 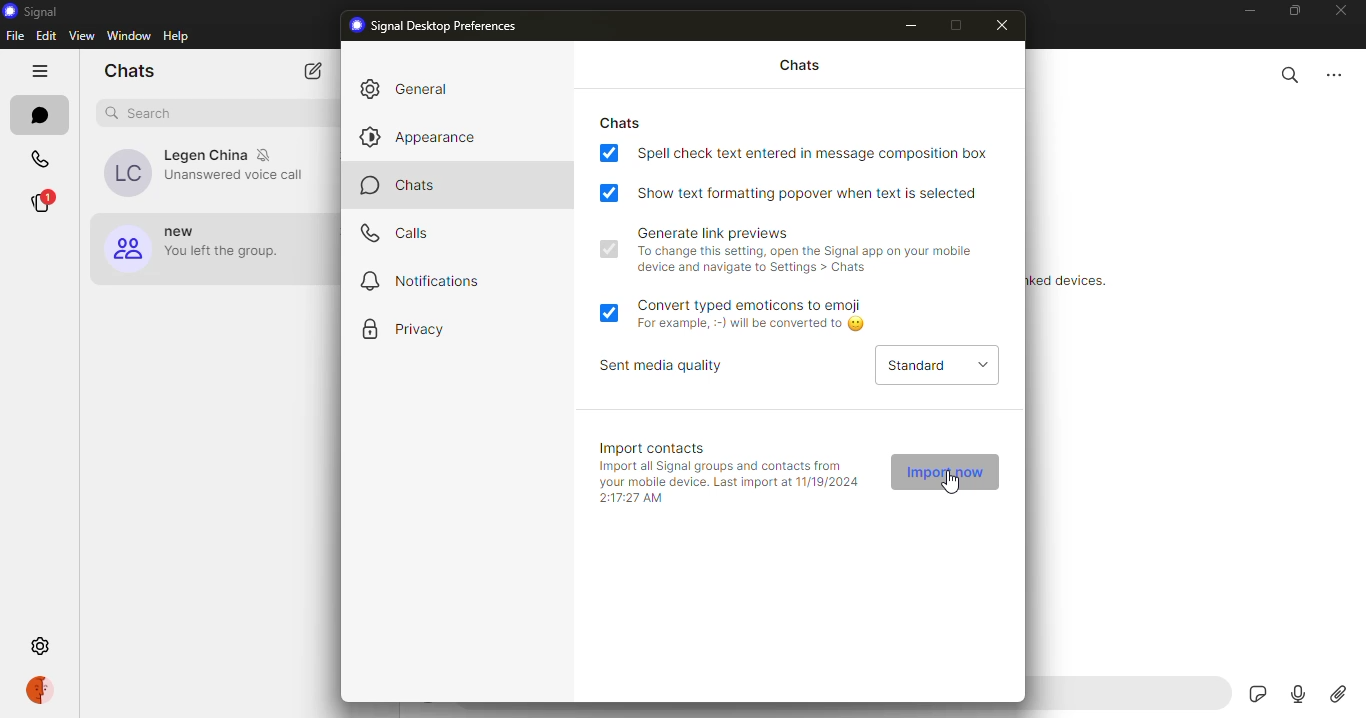 I want to click on info, so click(x=730, y=482).